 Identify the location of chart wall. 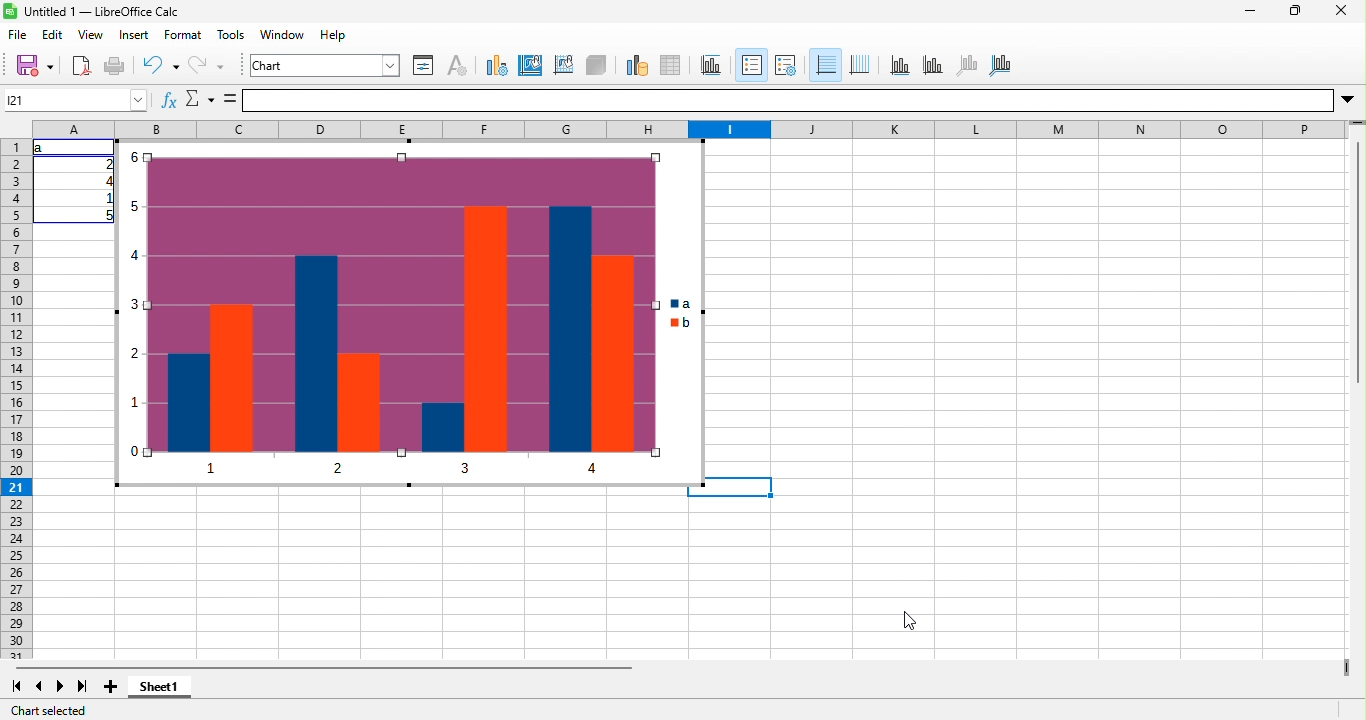
(564, 67).